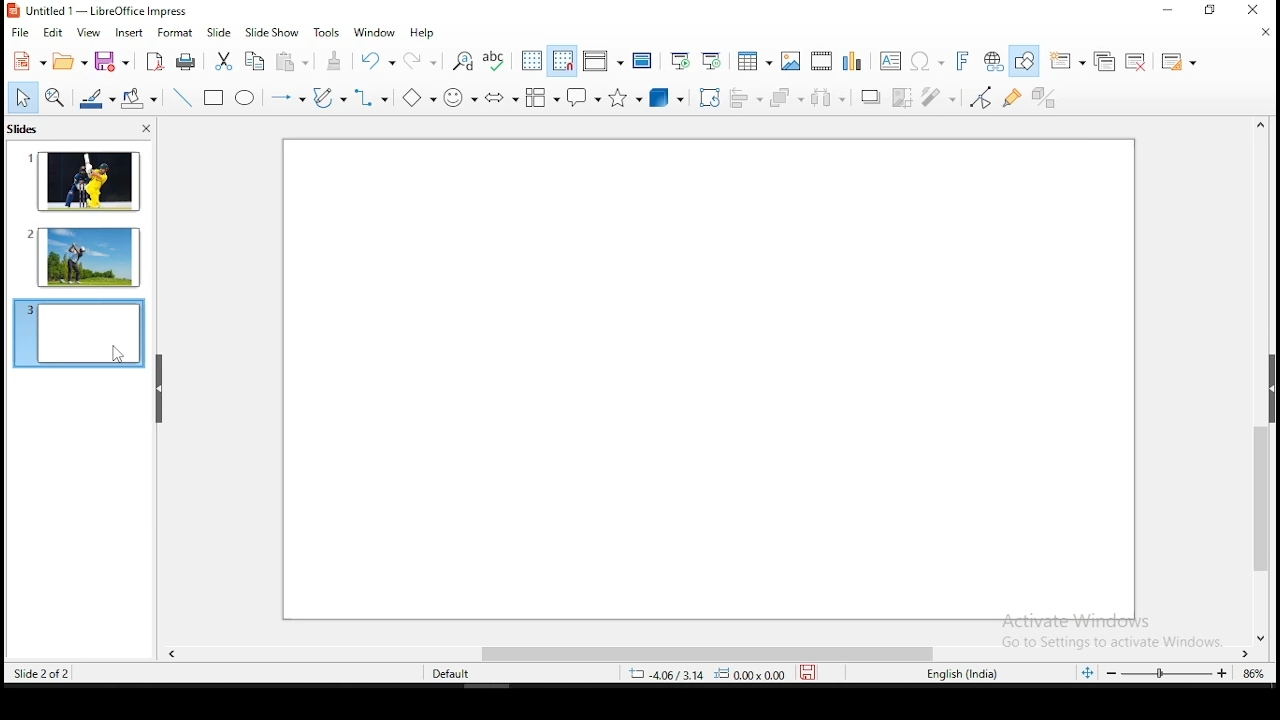 Image resolution: width=1280 pixels, height=720 pixels. What do you see at coordinates (643, 59) in the screenshot?
I see `master slide` at bounding box center [643, 59].